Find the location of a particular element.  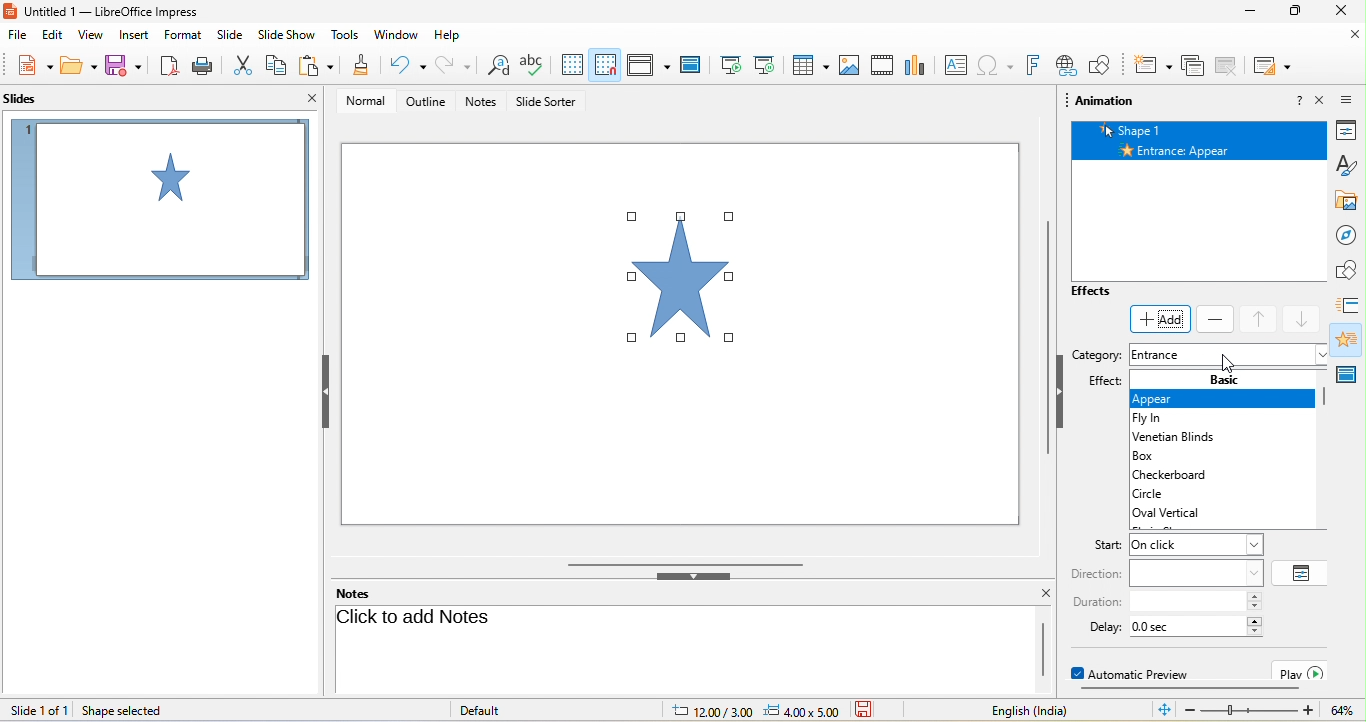

sidebar setting is located at coordinates (1348, 98).